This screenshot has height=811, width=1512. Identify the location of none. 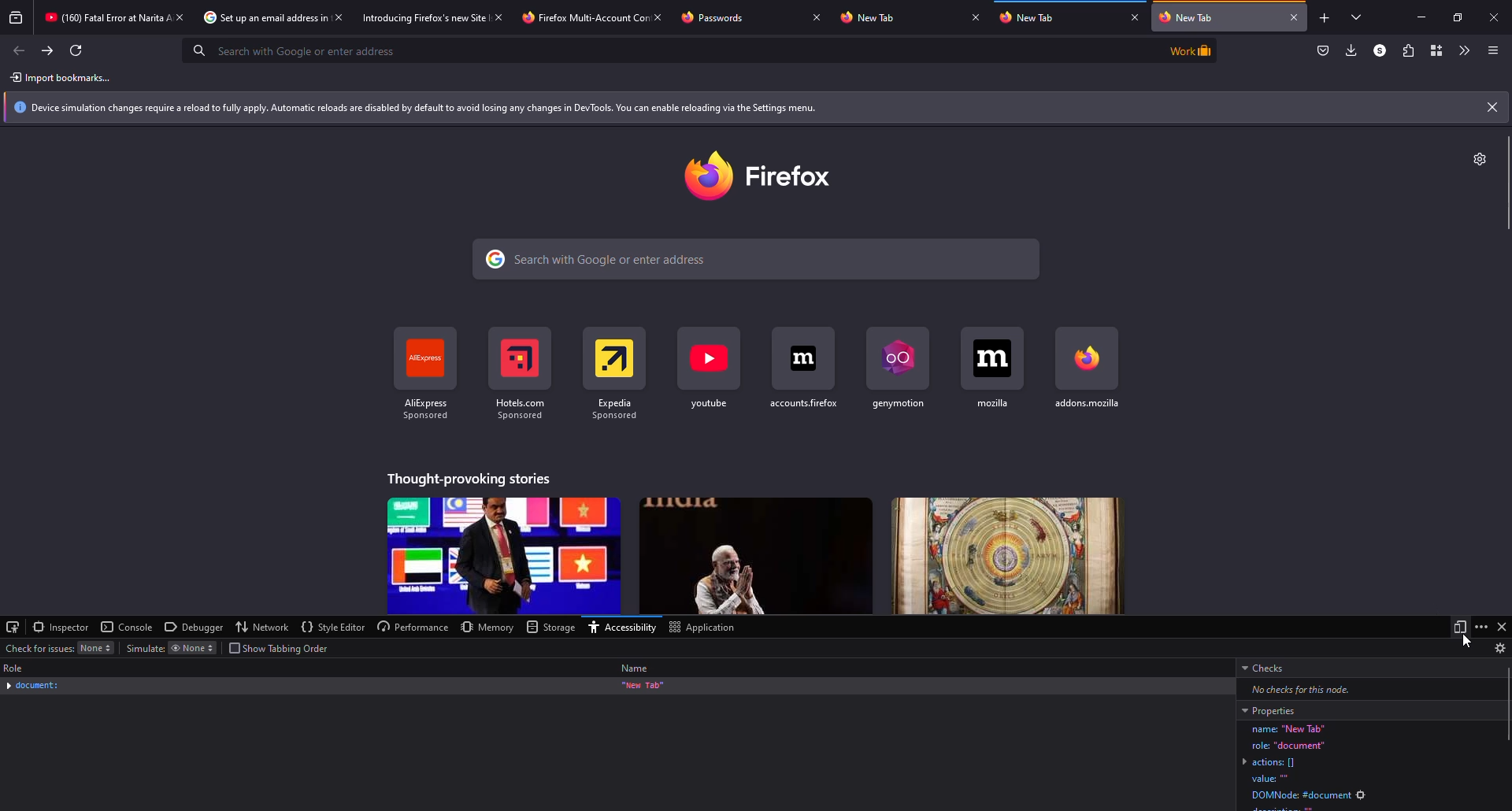
(191, 649).